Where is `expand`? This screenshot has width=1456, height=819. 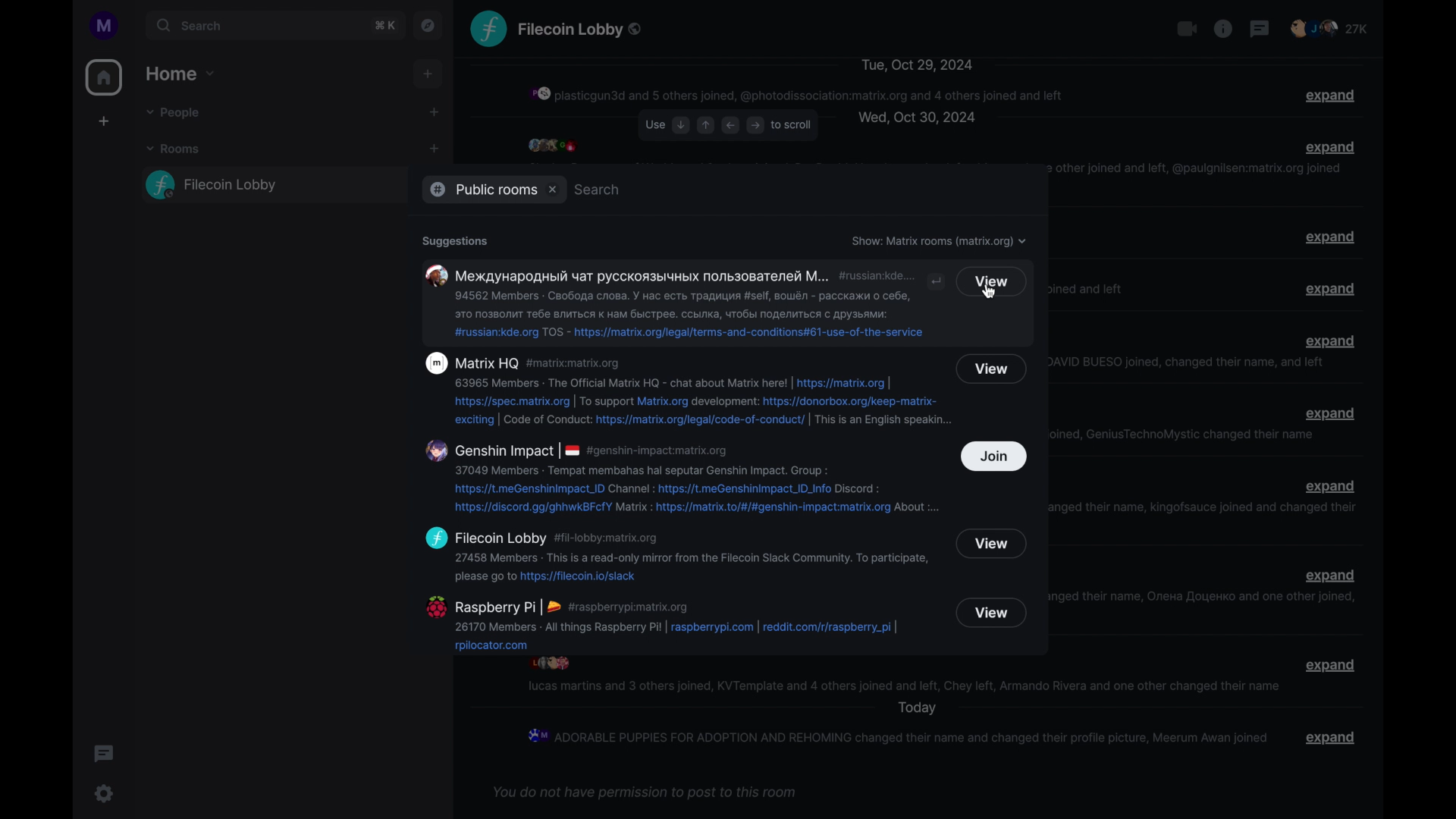 expand is located at coordinates (1329, 96).